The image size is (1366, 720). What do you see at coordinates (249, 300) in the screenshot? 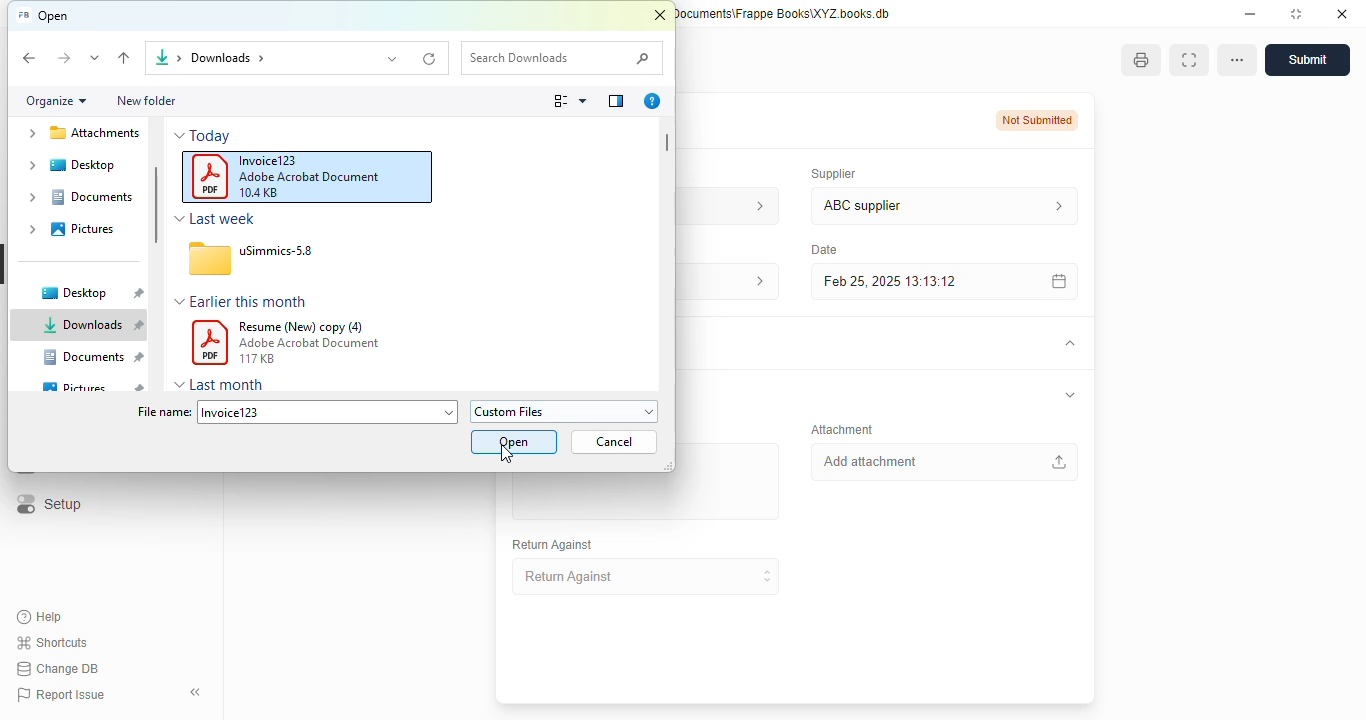
I see `earlier this month` at bounding box center [249, 300].